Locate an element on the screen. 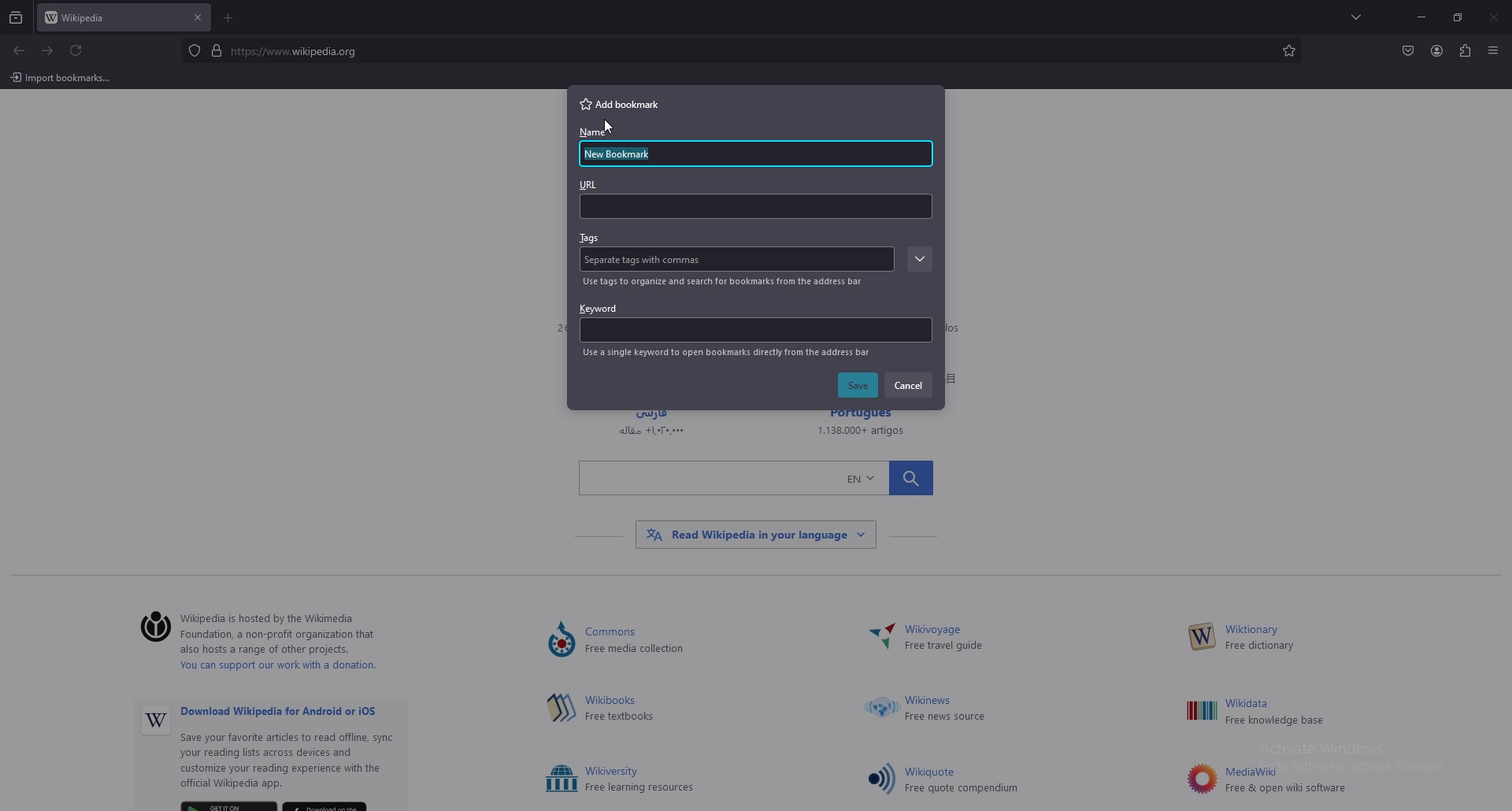 The image size is (1512, 811).  is located at coordinates (756, 476).